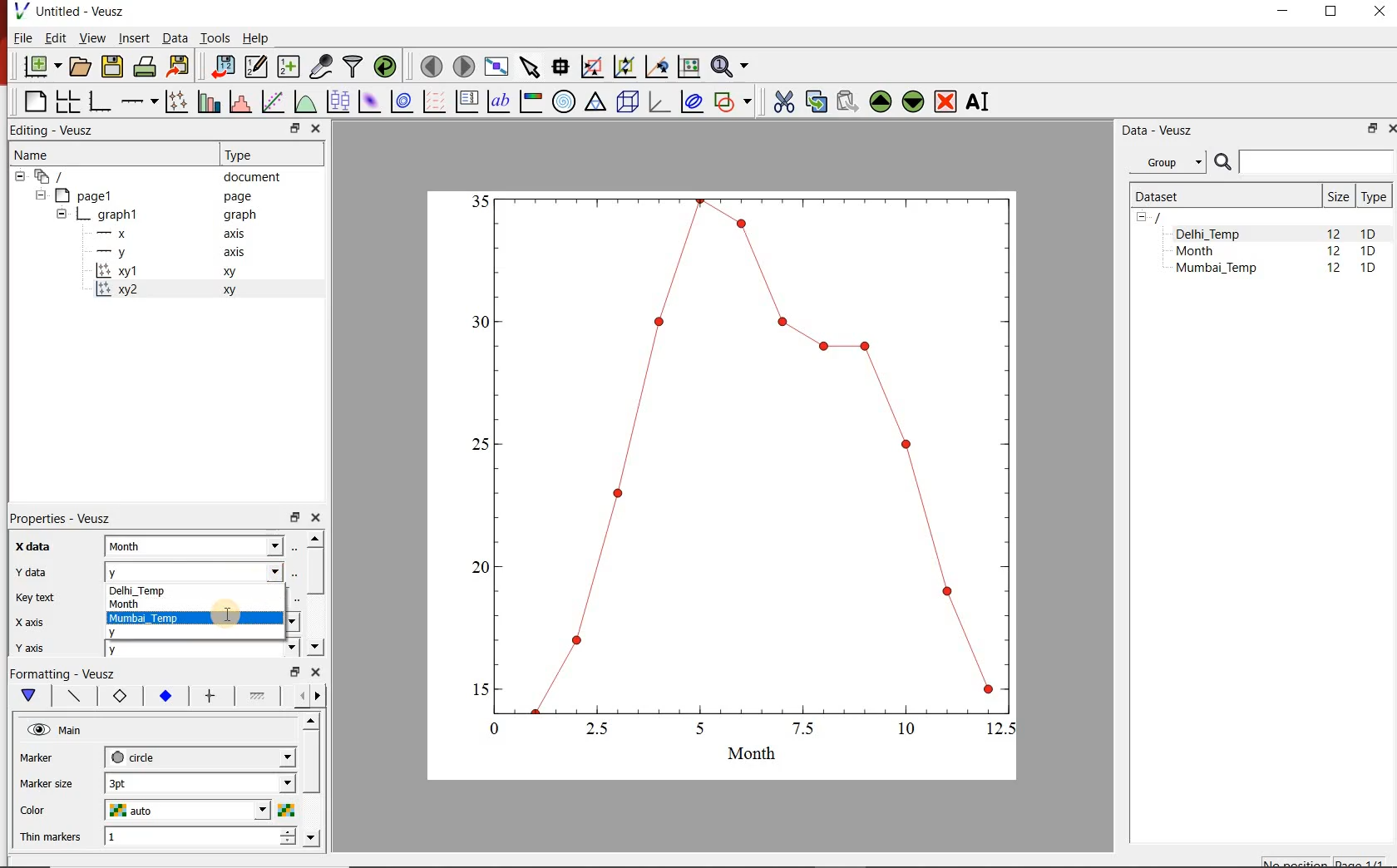 This screenshot has height=868, width=1397. I want to click on 1D, so click(1368, 269).